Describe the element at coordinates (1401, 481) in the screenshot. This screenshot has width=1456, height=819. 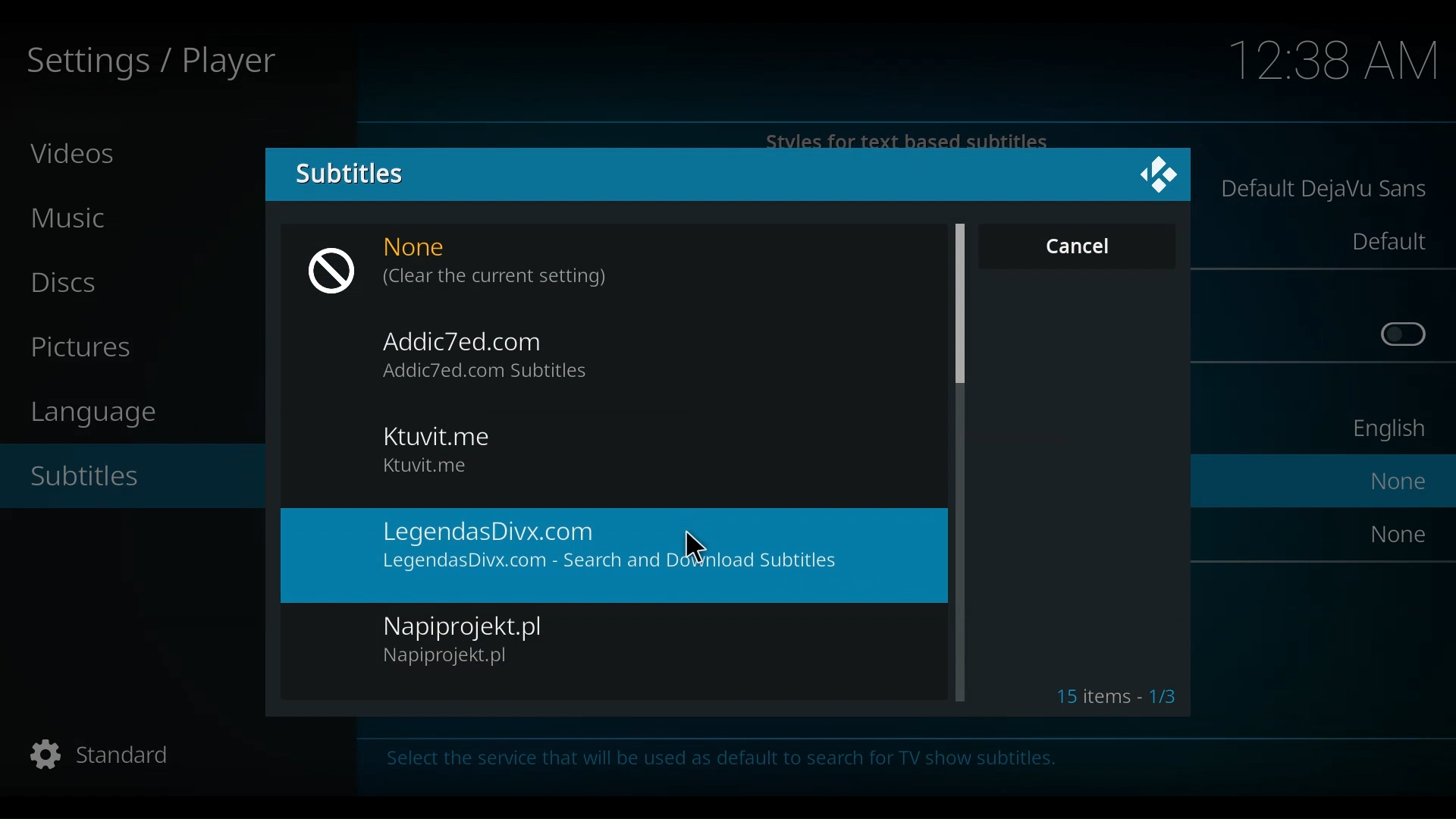
I see `None` at that location.